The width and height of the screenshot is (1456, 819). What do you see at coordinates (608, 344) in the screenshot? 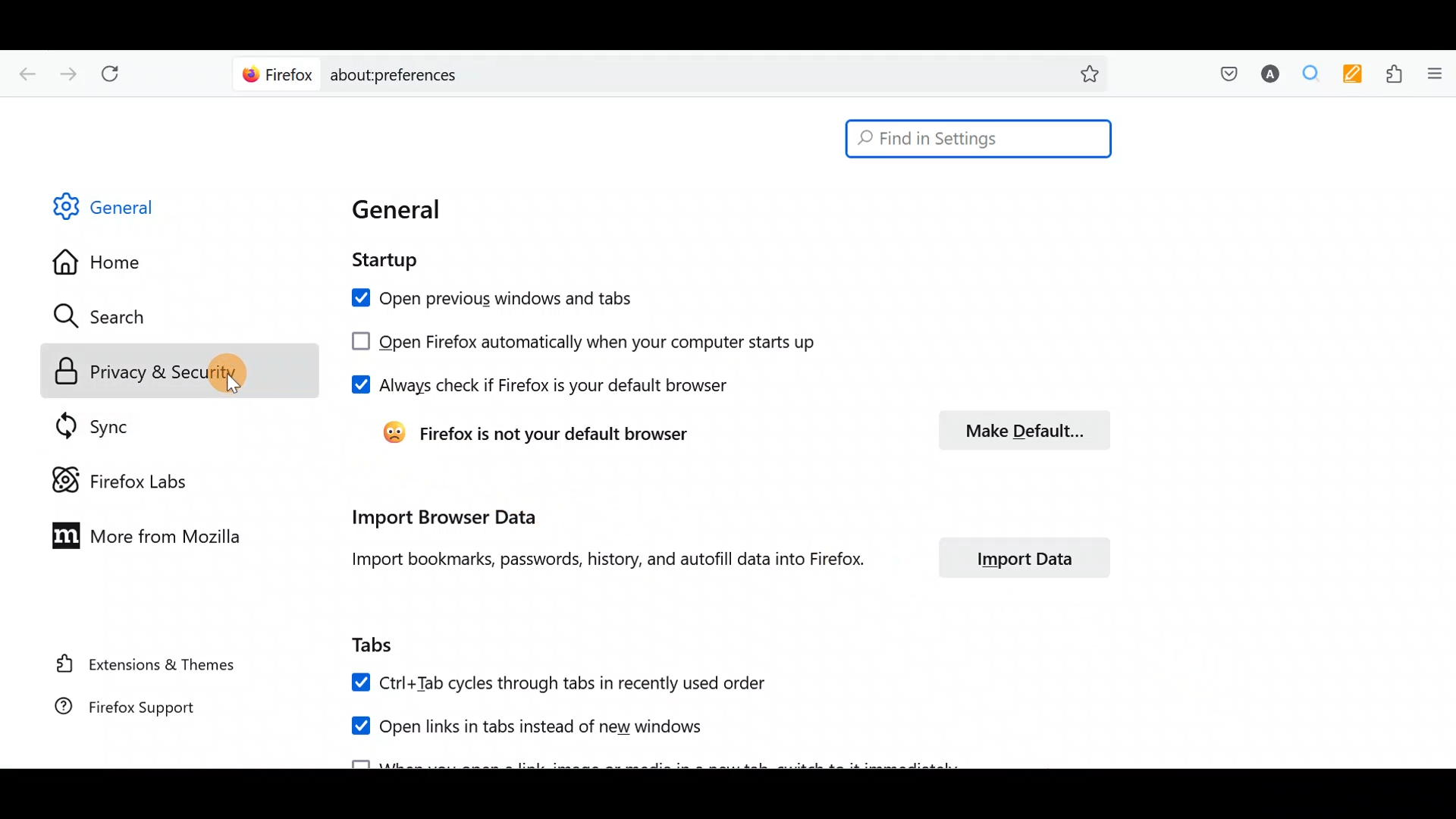
I see `Open Firefox automatically when your computer starts up` at bounding box center [608, 344].